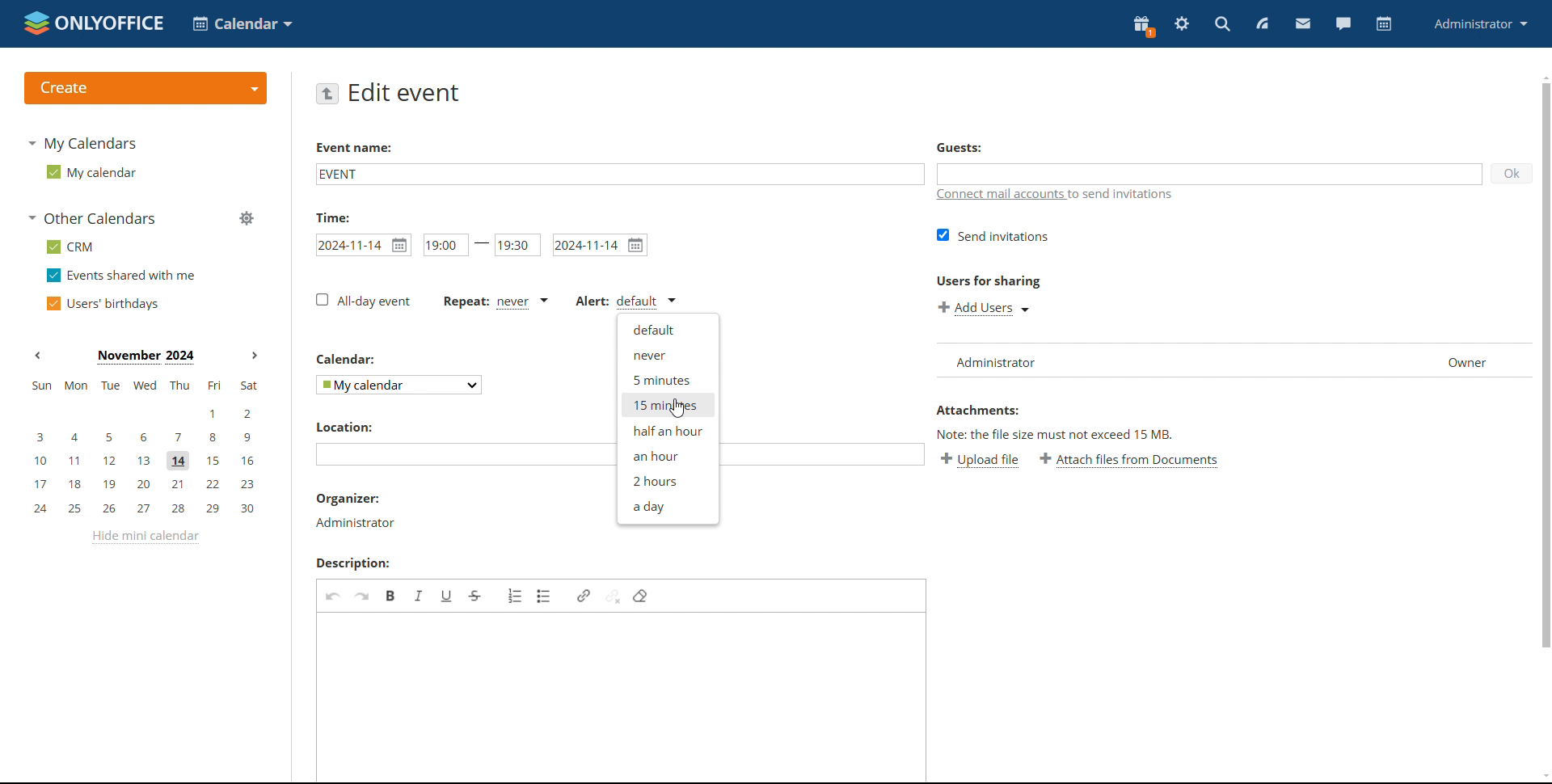 The width and height of the screenshot is (1552, 784). Describe the element at coordinates (517, 246) in the screenshot. I see `end time` at that location.